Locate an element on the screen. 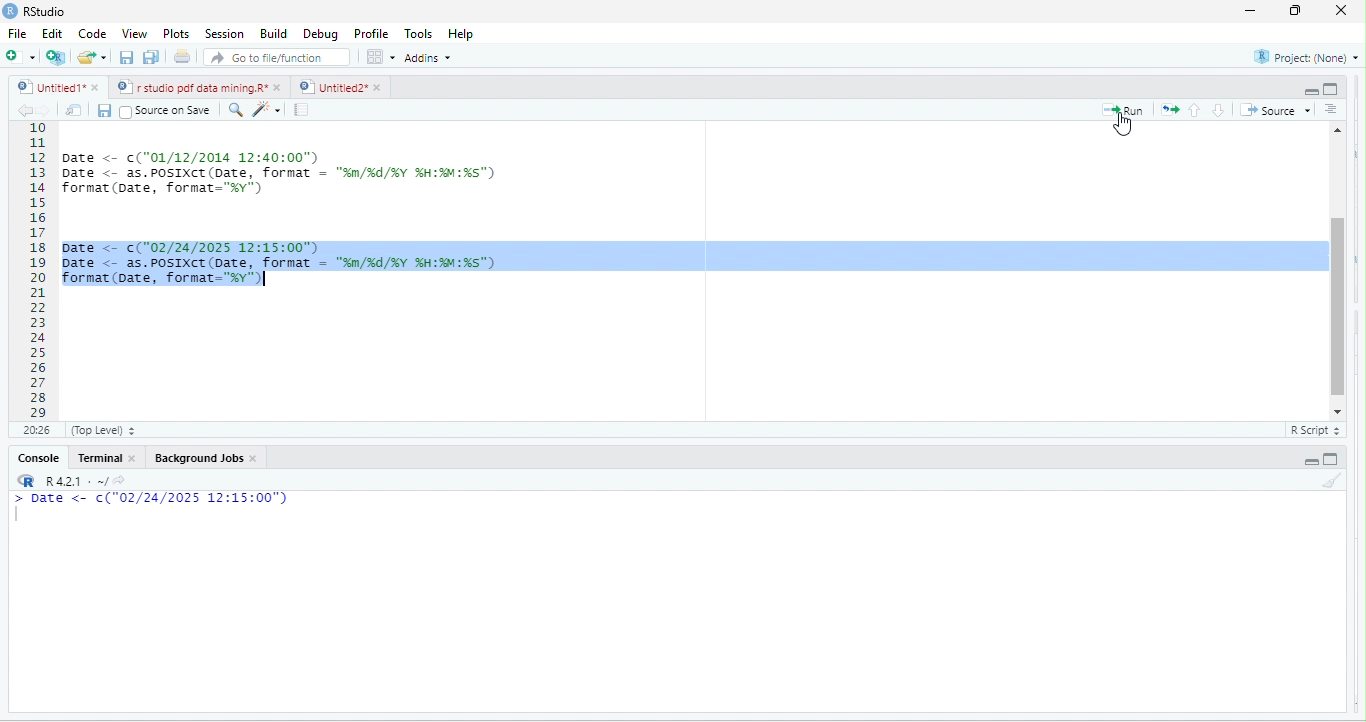 The image size is (1366, 722). Date <- ("01/12/2014 12:40:00")

Date <- as.POSIXCT (Date, format = "%m/%d/XY XH:%M:%s")
format (pate, format="%v")

| 1 is located at coordinates (399, 171).